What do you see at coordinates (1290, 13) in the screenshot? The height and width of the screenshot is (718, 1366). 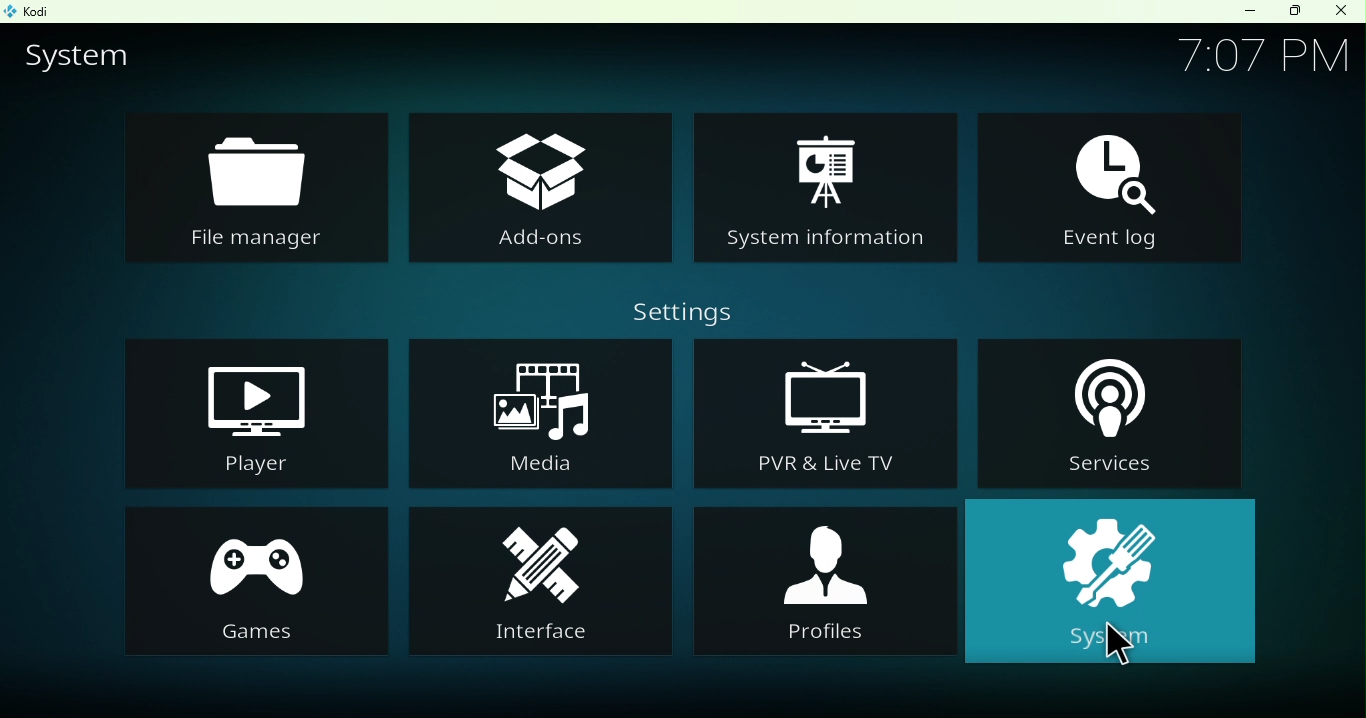 I see `Maximize` at bounding box center [1290, 13].